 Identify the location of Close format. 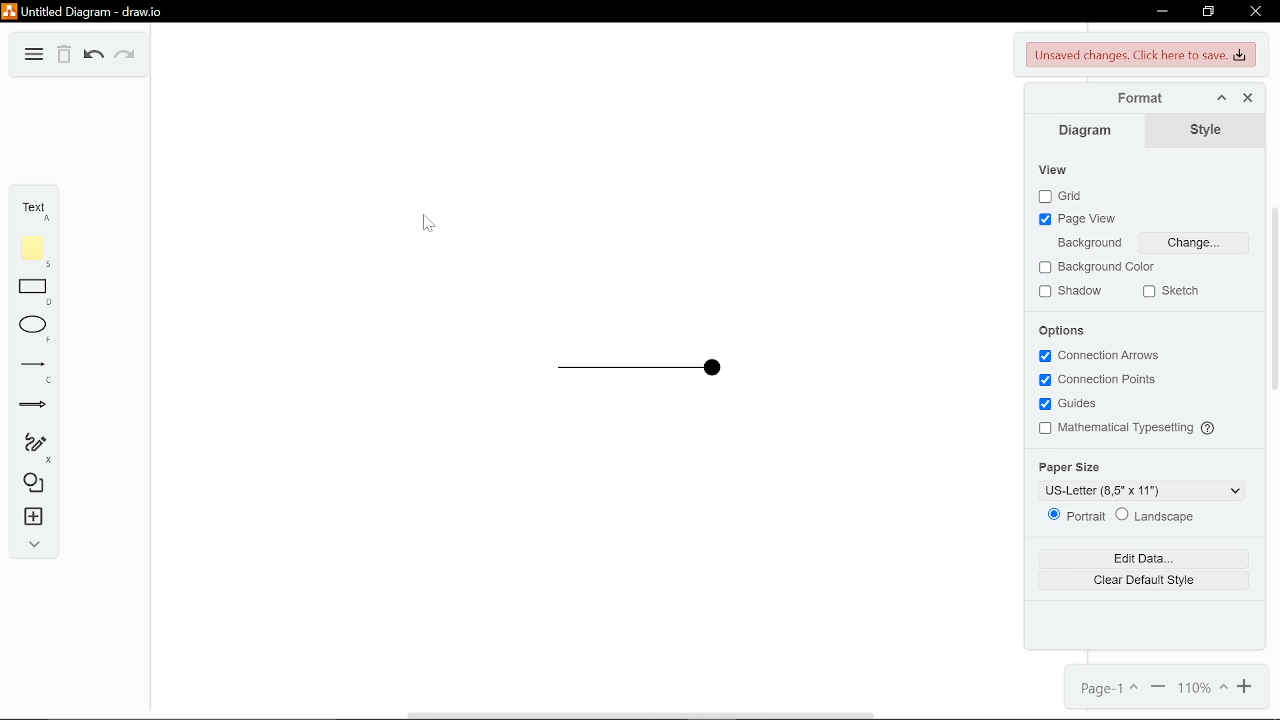
(1248, 98).